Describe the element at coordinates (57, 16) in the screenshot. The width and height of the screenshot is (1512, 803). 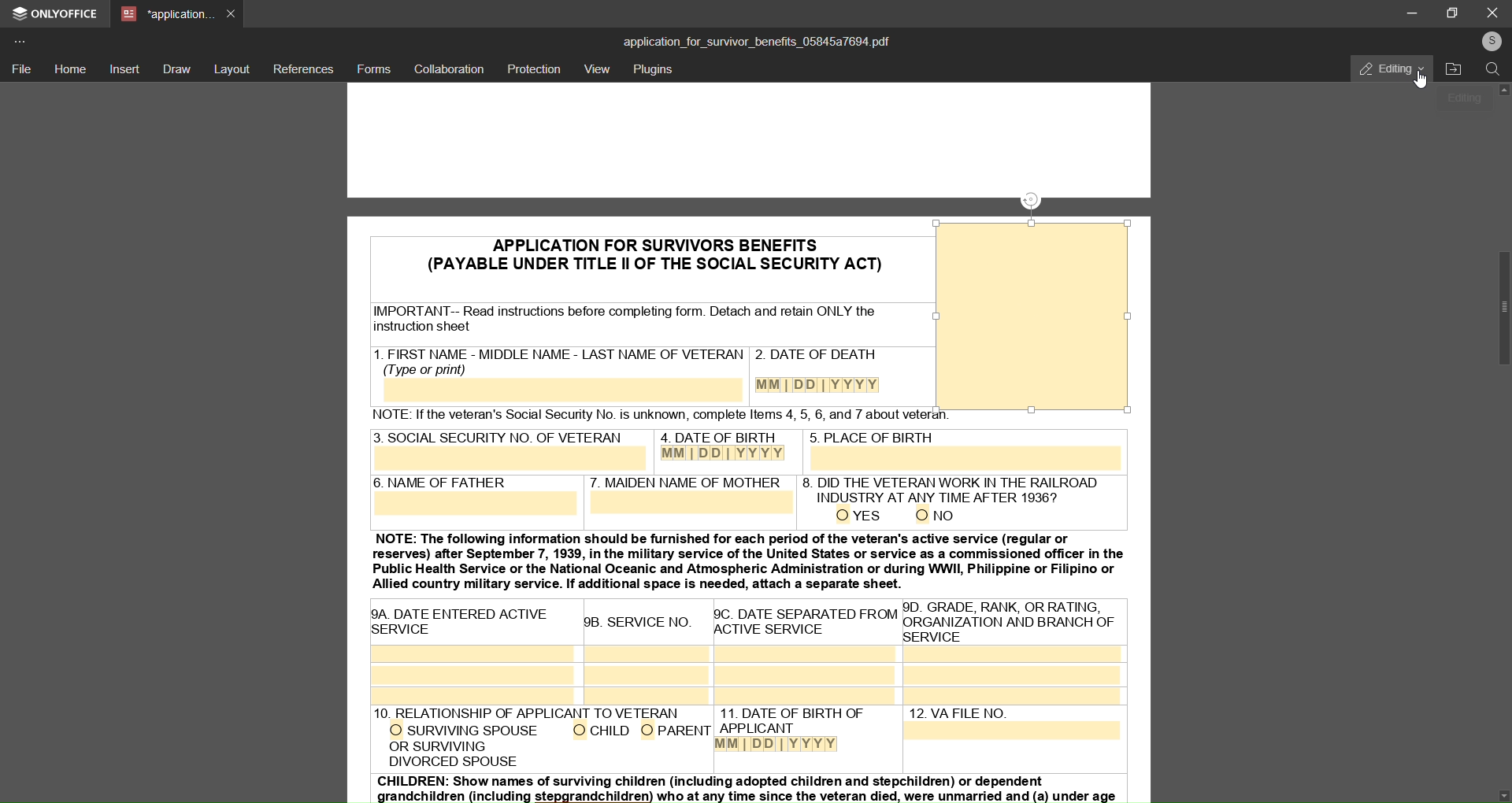
I see `onlyoffice` at that location.